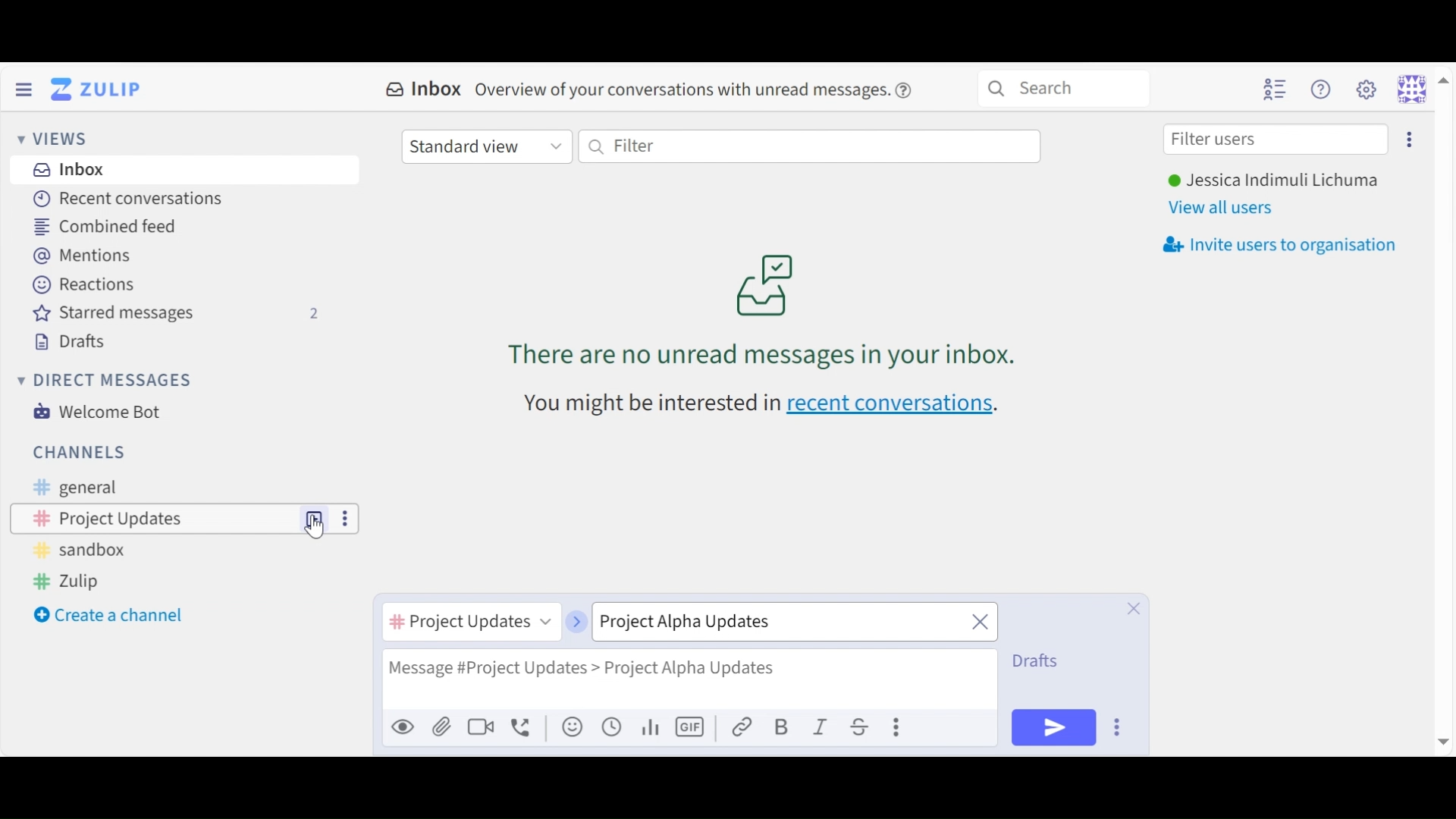 This screenshot has height=819, width=1456. What do you see at coordinates (893, 405) in the screenshot?
I see `recent conversations` at bounding box center [893, 405].